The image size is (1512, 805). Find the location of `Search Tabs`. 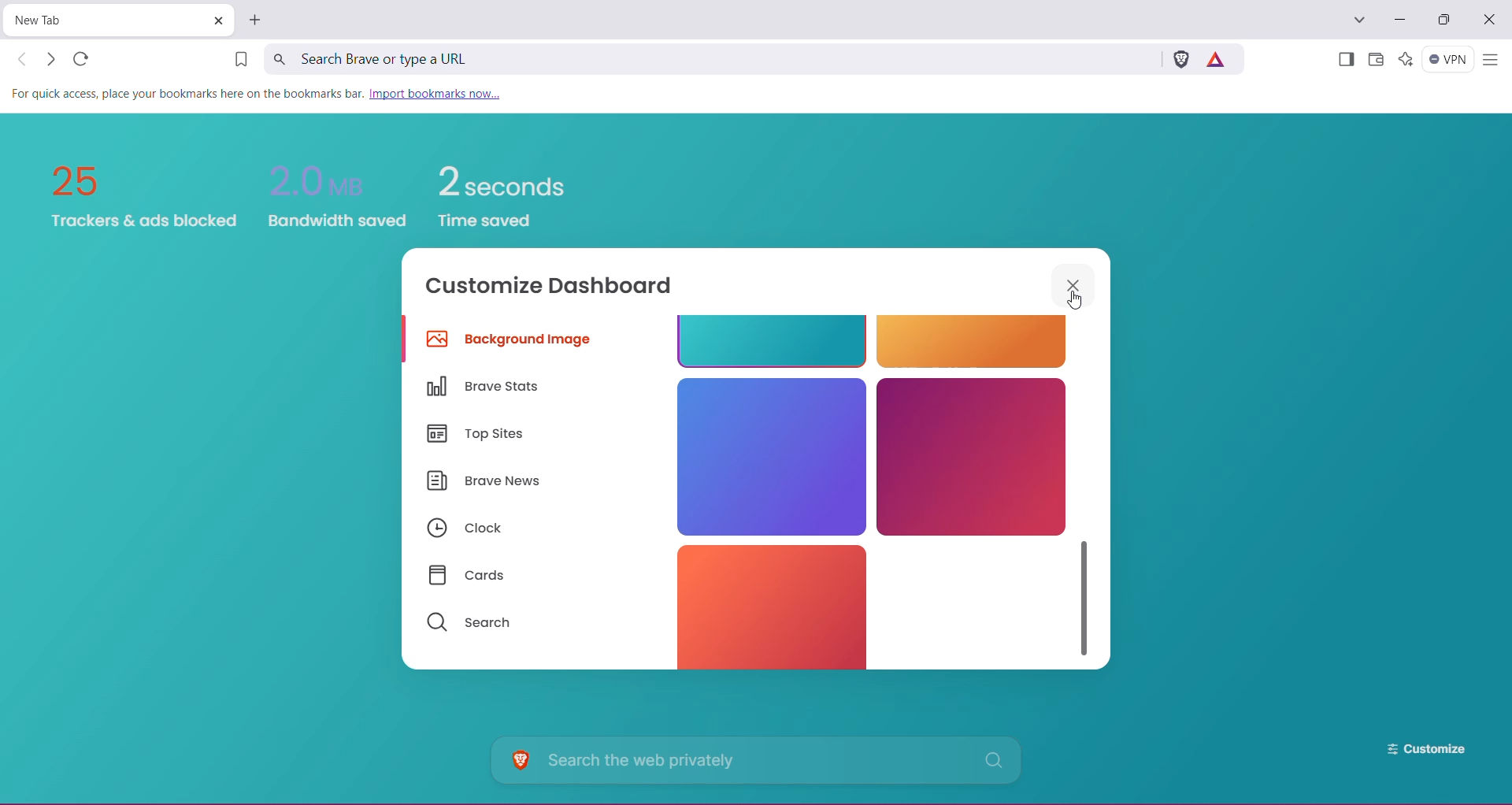

Search Tabs is located at coordinates (1360, 20).